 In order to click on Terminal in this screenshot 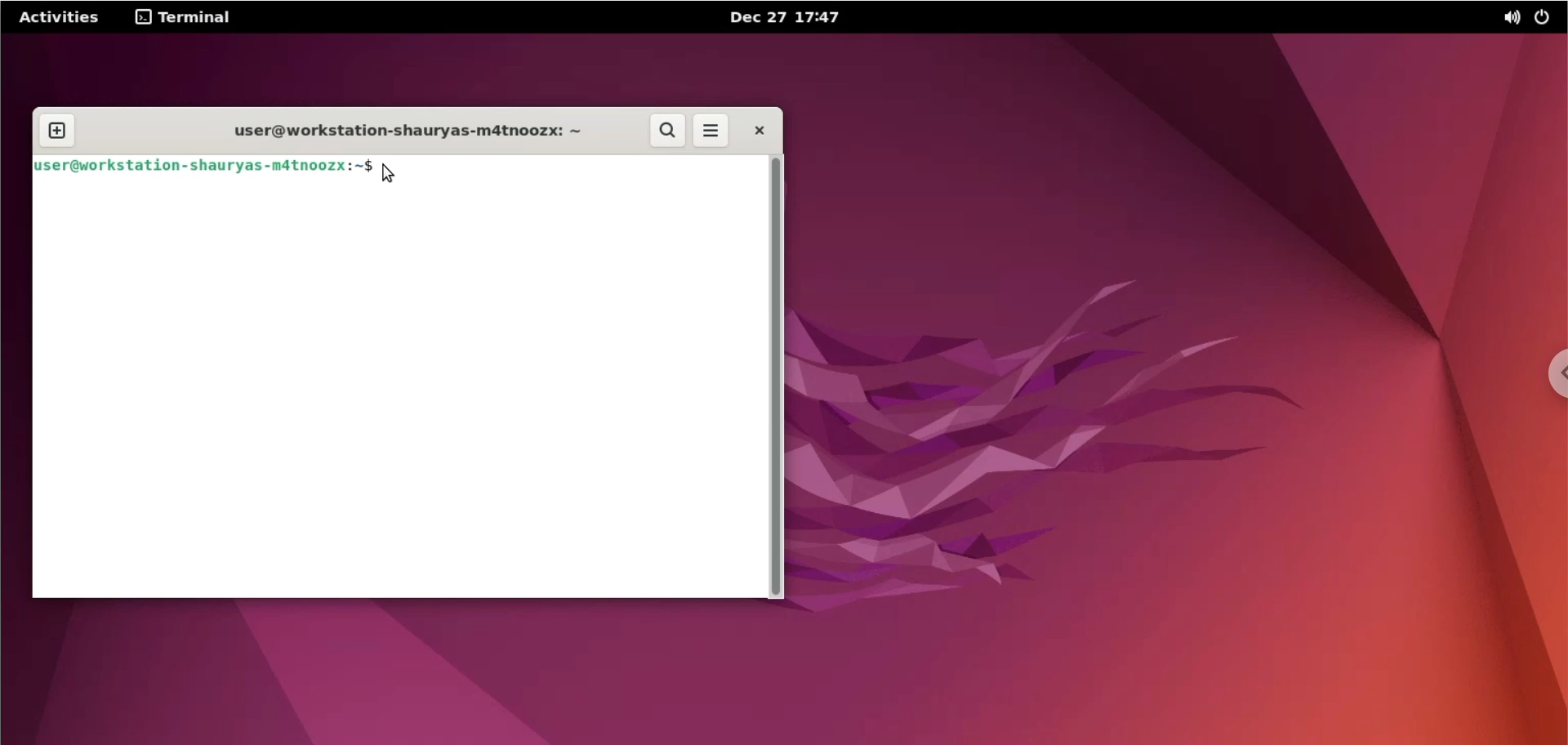, I will do `click(188, 17)`.